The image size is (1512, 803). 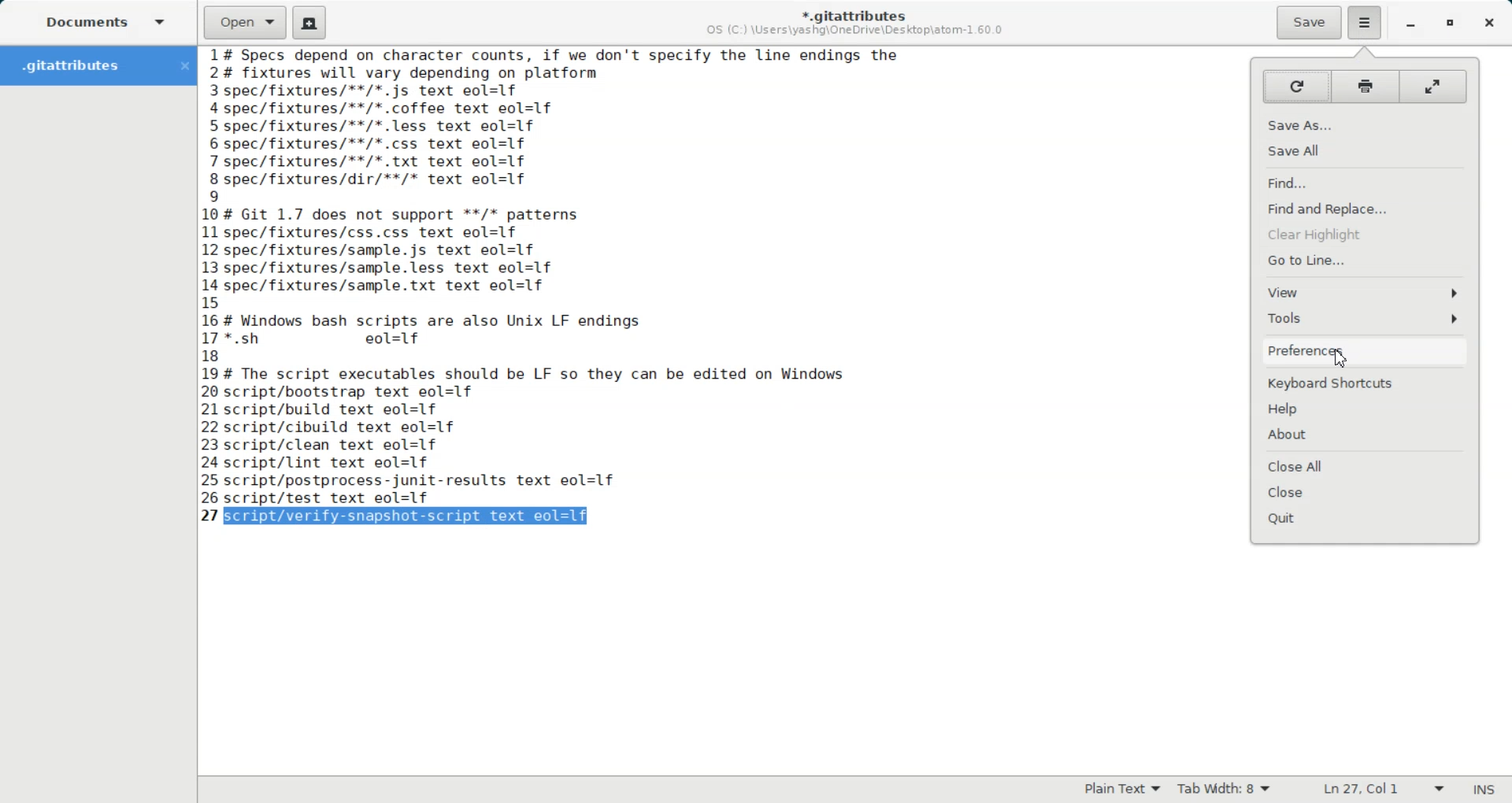 I want to click on View, so click(x=1366, y=293).